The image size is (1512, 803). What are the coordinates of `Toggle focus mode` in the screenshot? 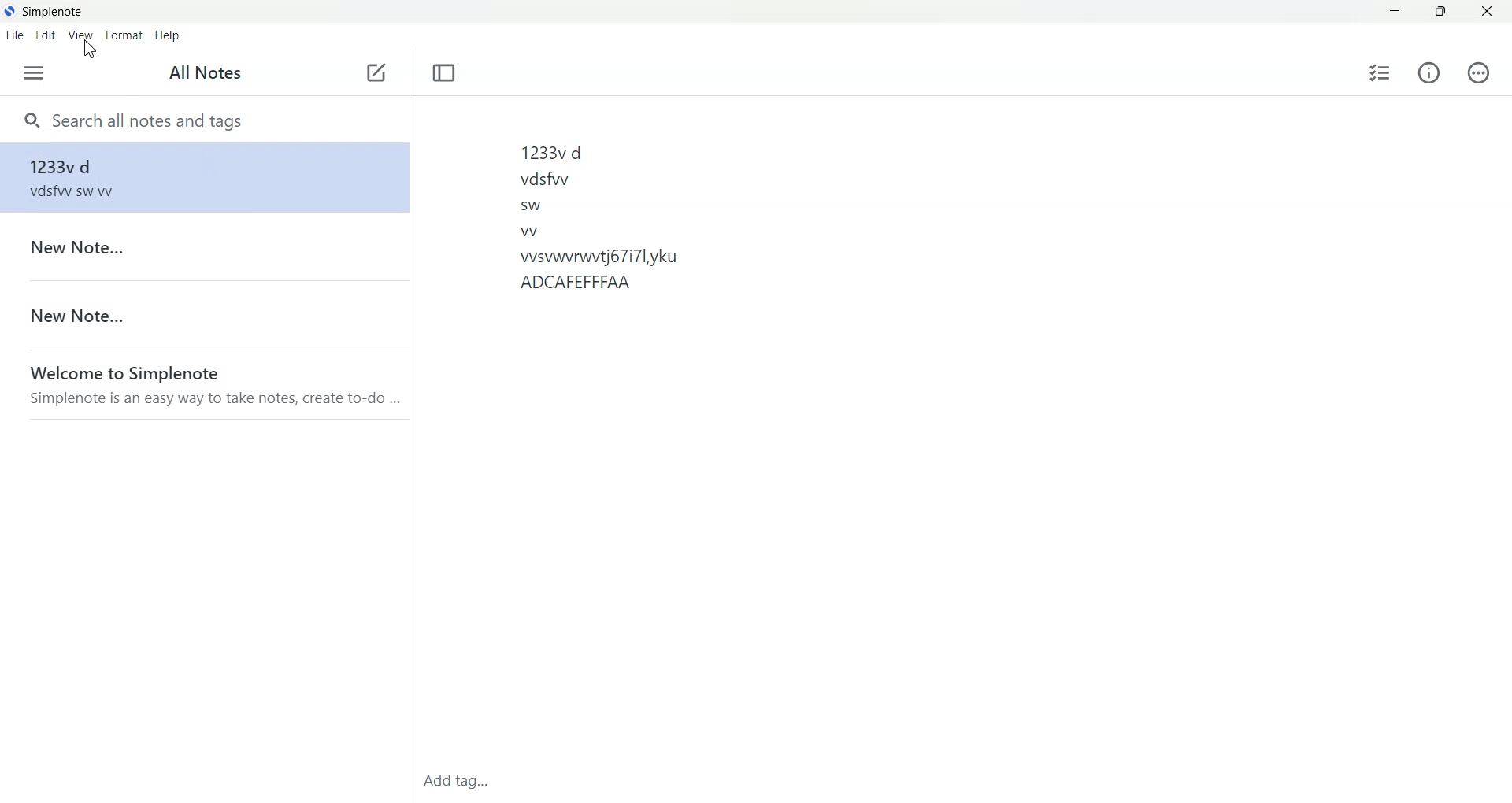 It's located at (443, 73).